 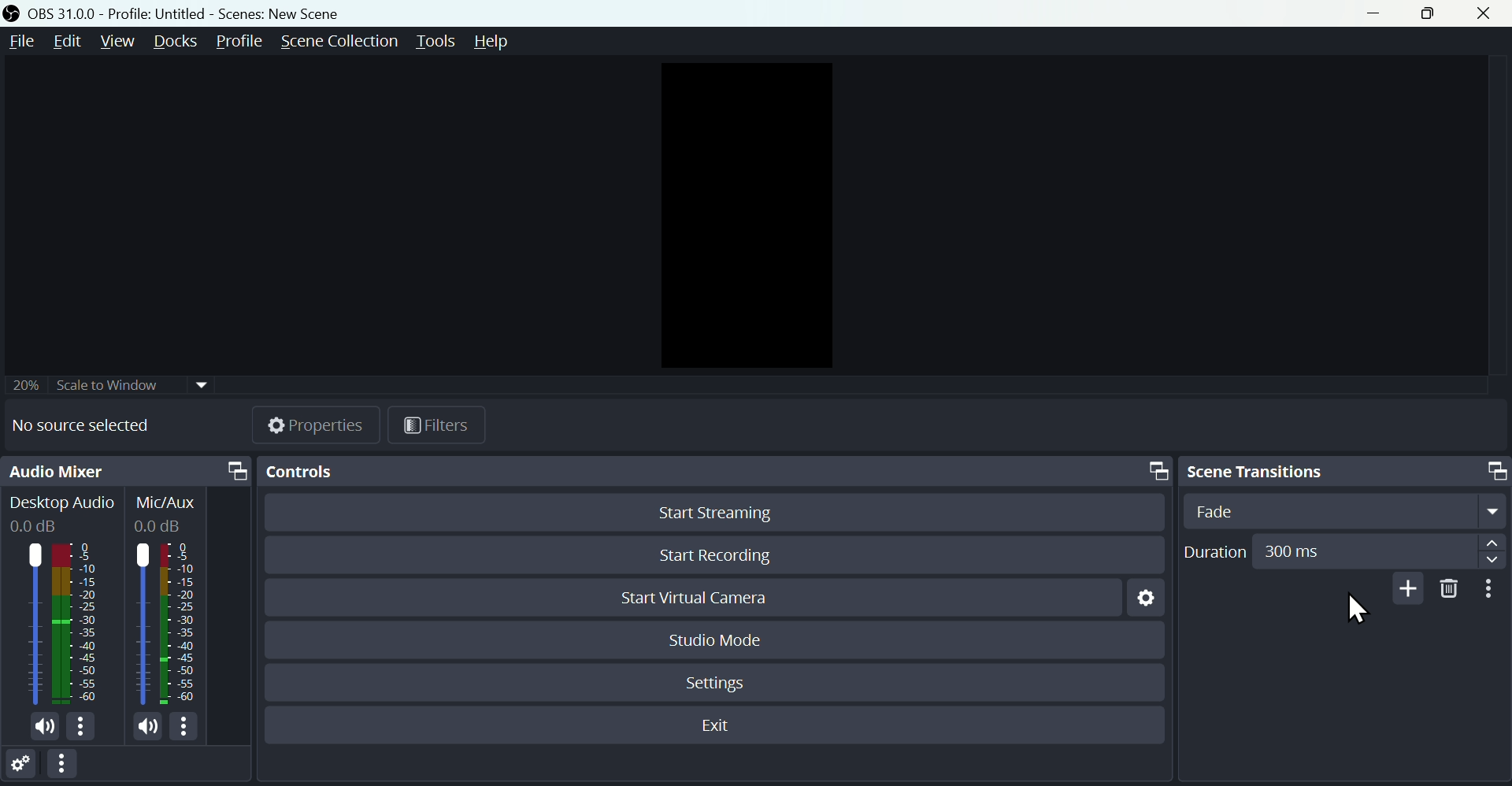 What do you see at coordinates (66, 41) in the screenshot?
I see `Edit` at bounding box center [66, 41].